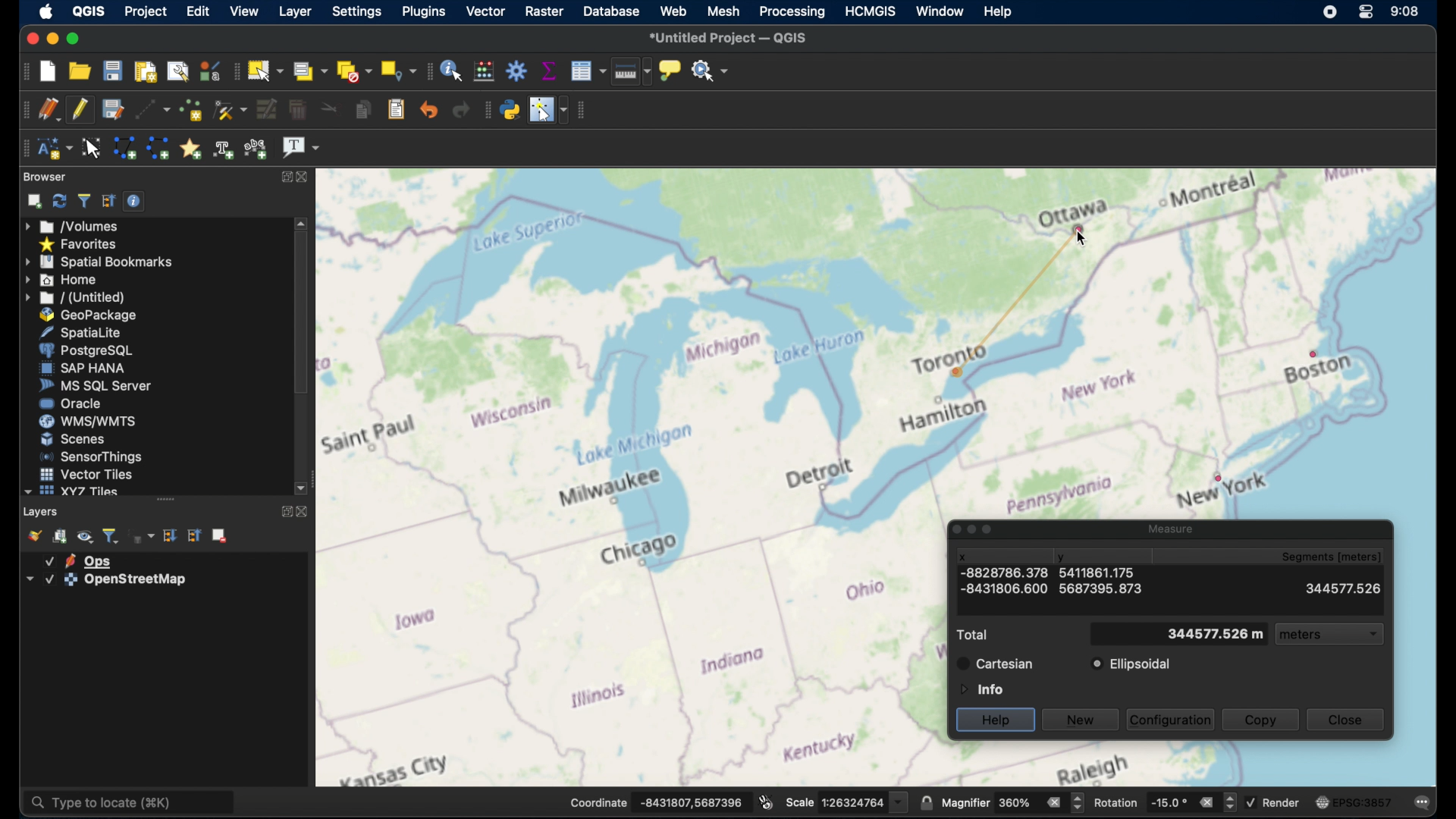  What do you see at coordinates (190, 147) in the screenshot?
I see `create annotation marker` at bounding box center [190, 147].